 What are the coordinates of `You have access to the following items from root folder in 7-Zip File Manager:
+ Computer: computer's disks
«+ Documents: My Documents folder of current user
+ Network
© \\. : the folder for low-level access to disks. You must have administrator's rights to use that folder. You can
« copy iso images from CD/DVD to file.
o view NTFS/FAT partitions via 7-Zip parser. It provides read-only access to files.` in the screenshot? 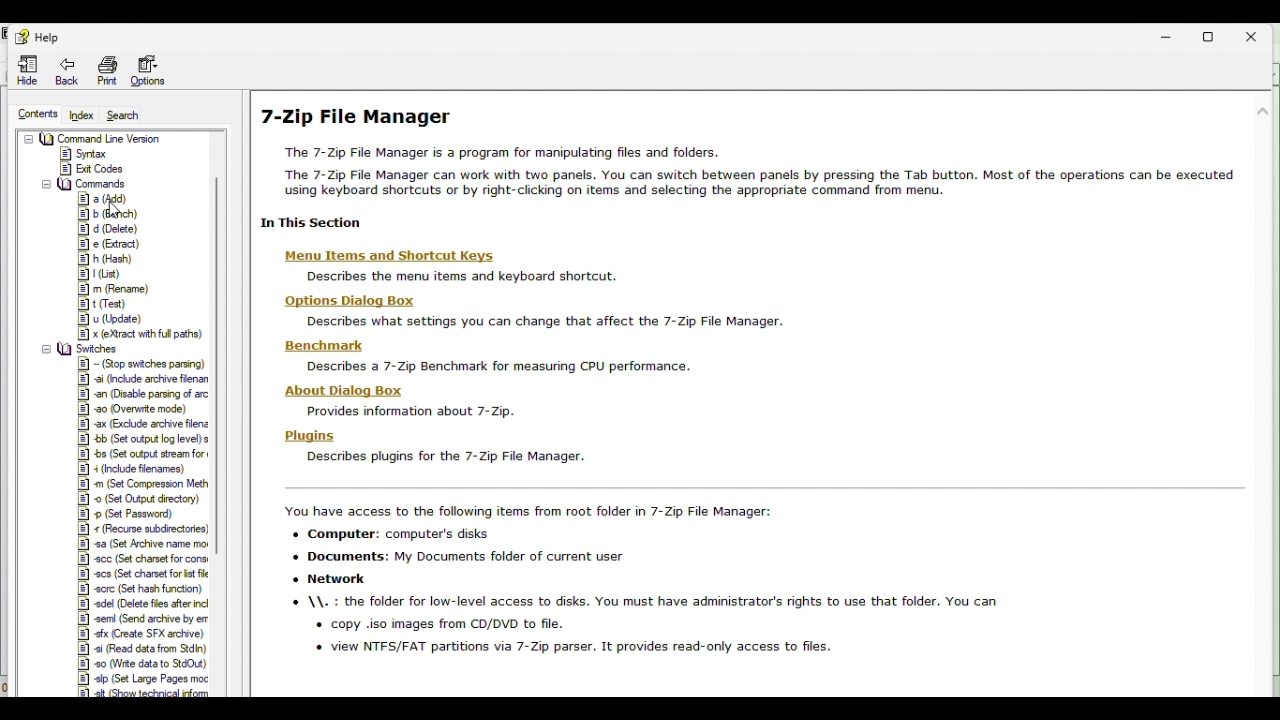 It's located at (637, 580).